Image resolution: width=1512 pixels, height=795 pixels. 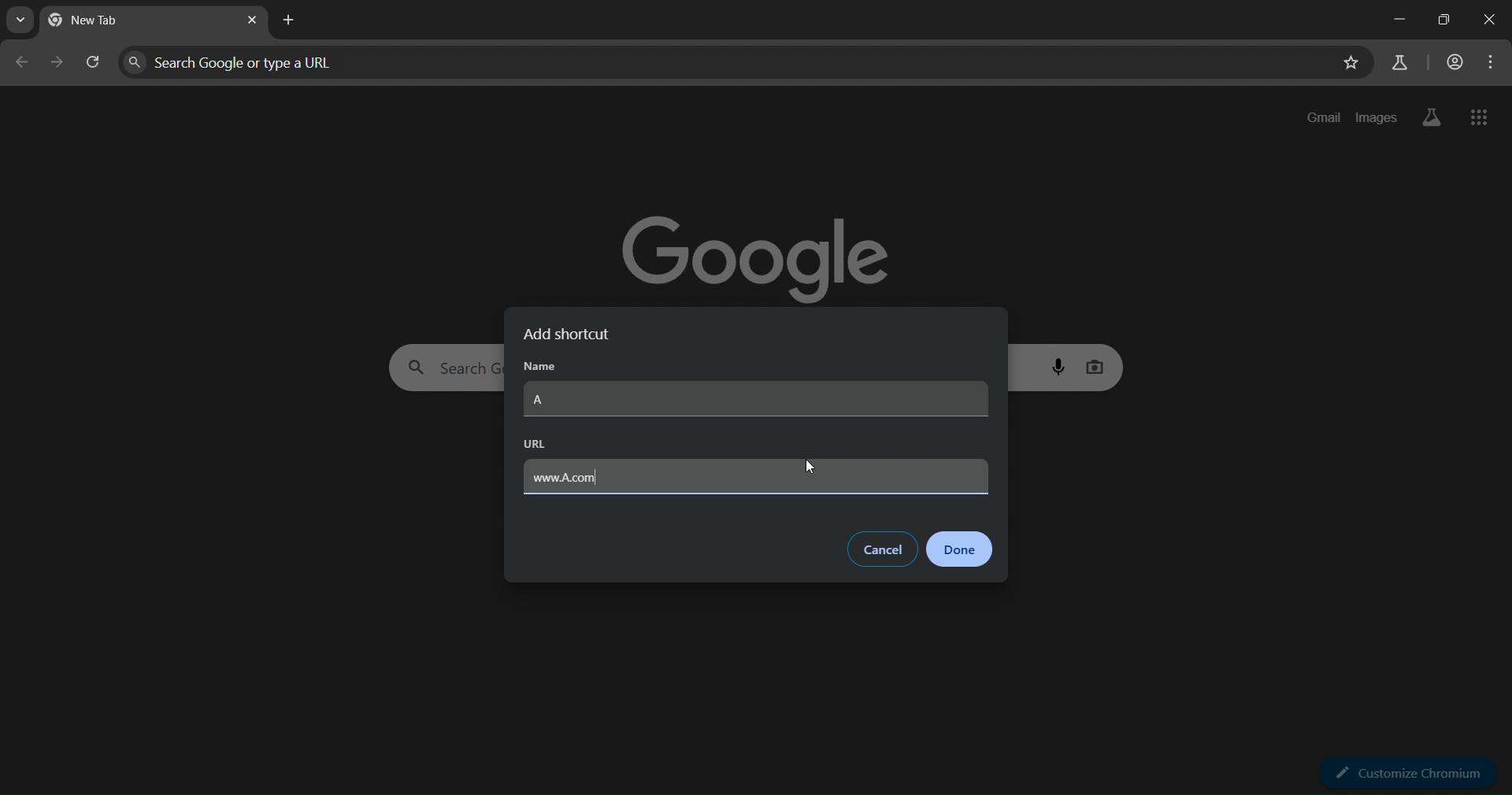 What do you see at coordinates (883, 547) in the screenshot?
I see `cancel` at bounding box center [883, 547].